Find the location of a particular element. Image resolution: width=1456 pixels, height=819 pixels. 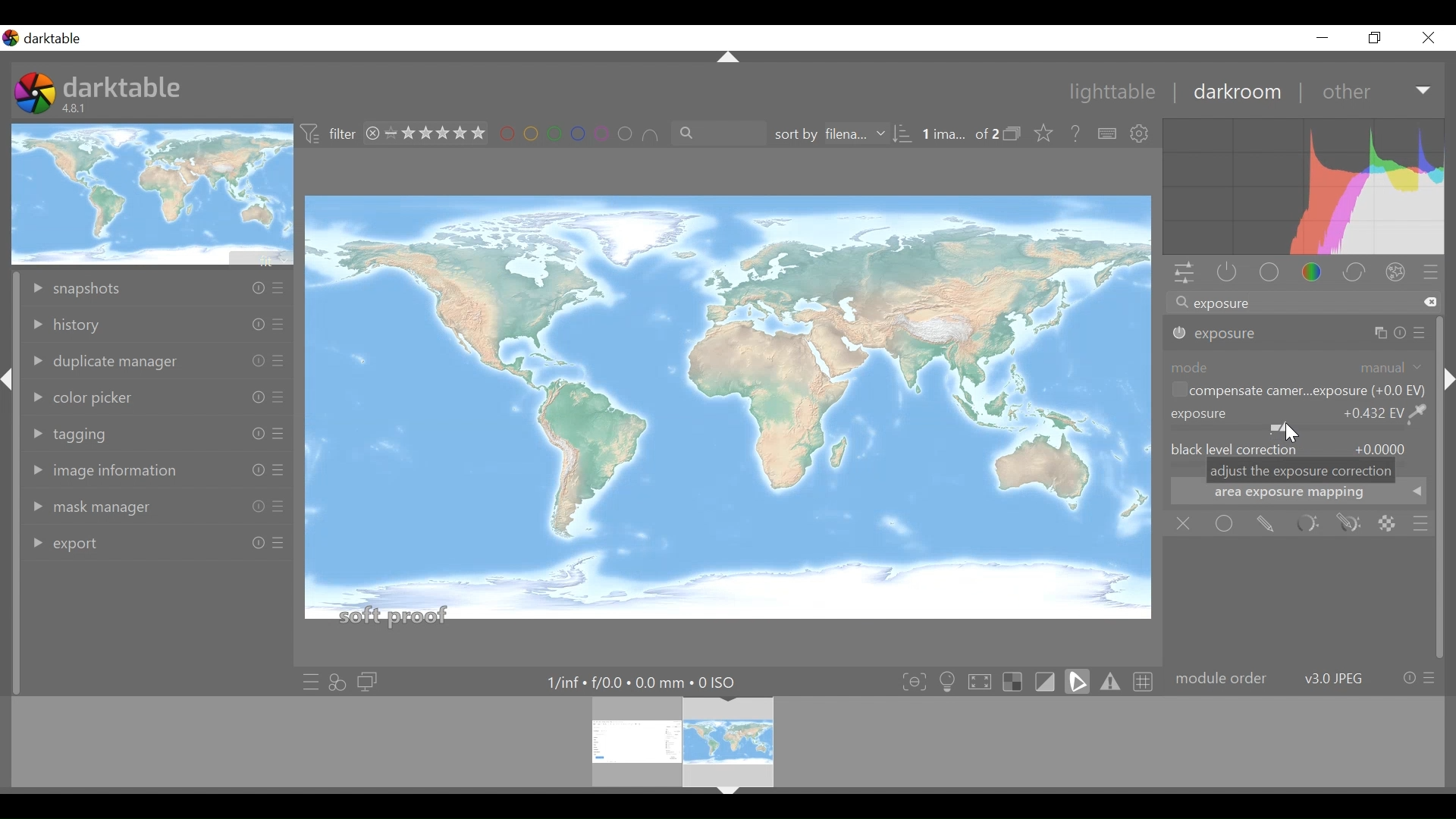

blending option is located at coordinates (1420, 524).